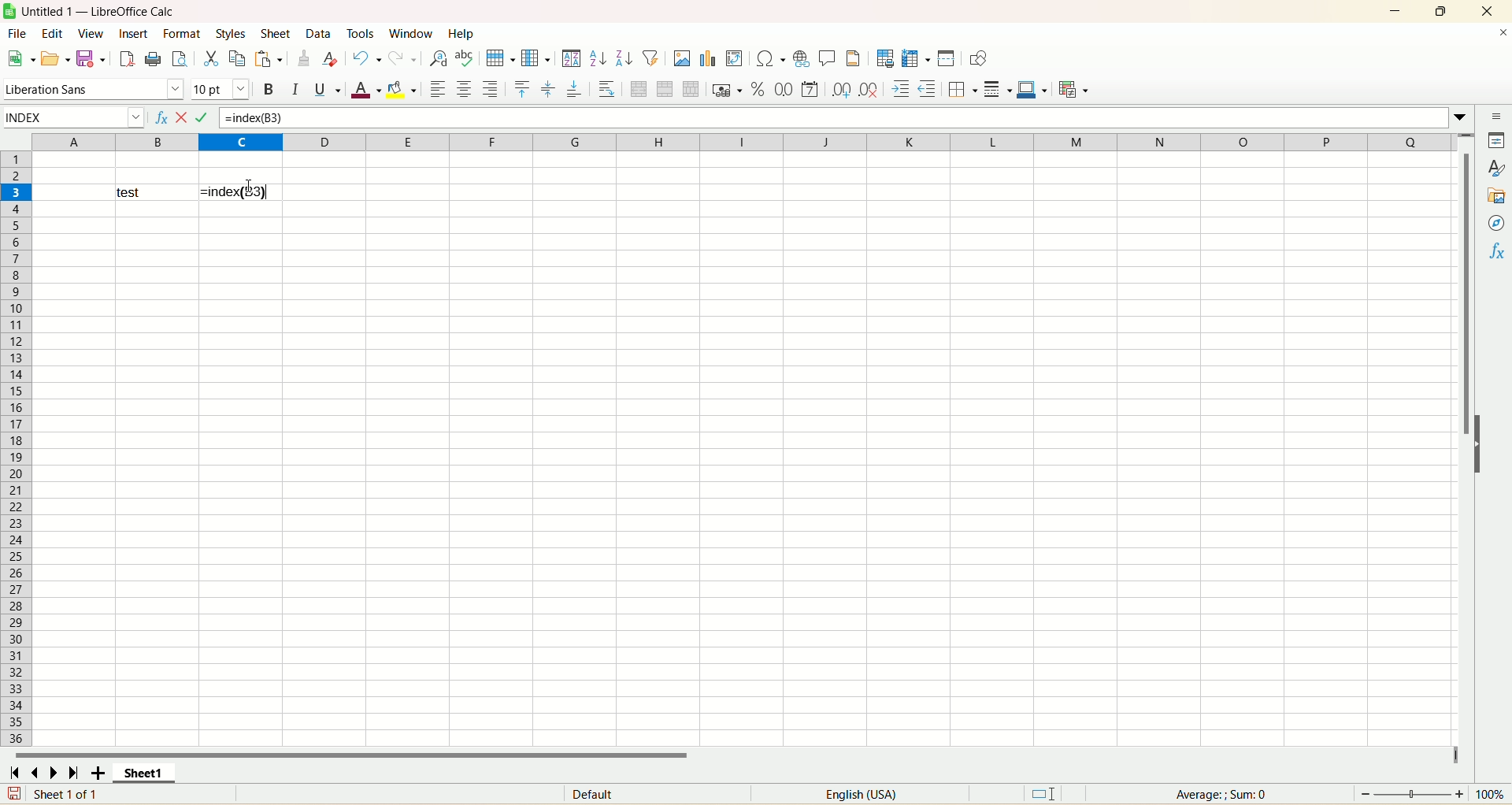 This screenshot has width=1512, height=805. What do you see at coordinates (928, 89) in the screenshot?
I see `Decrease indent` at bounding box center [928, 89].